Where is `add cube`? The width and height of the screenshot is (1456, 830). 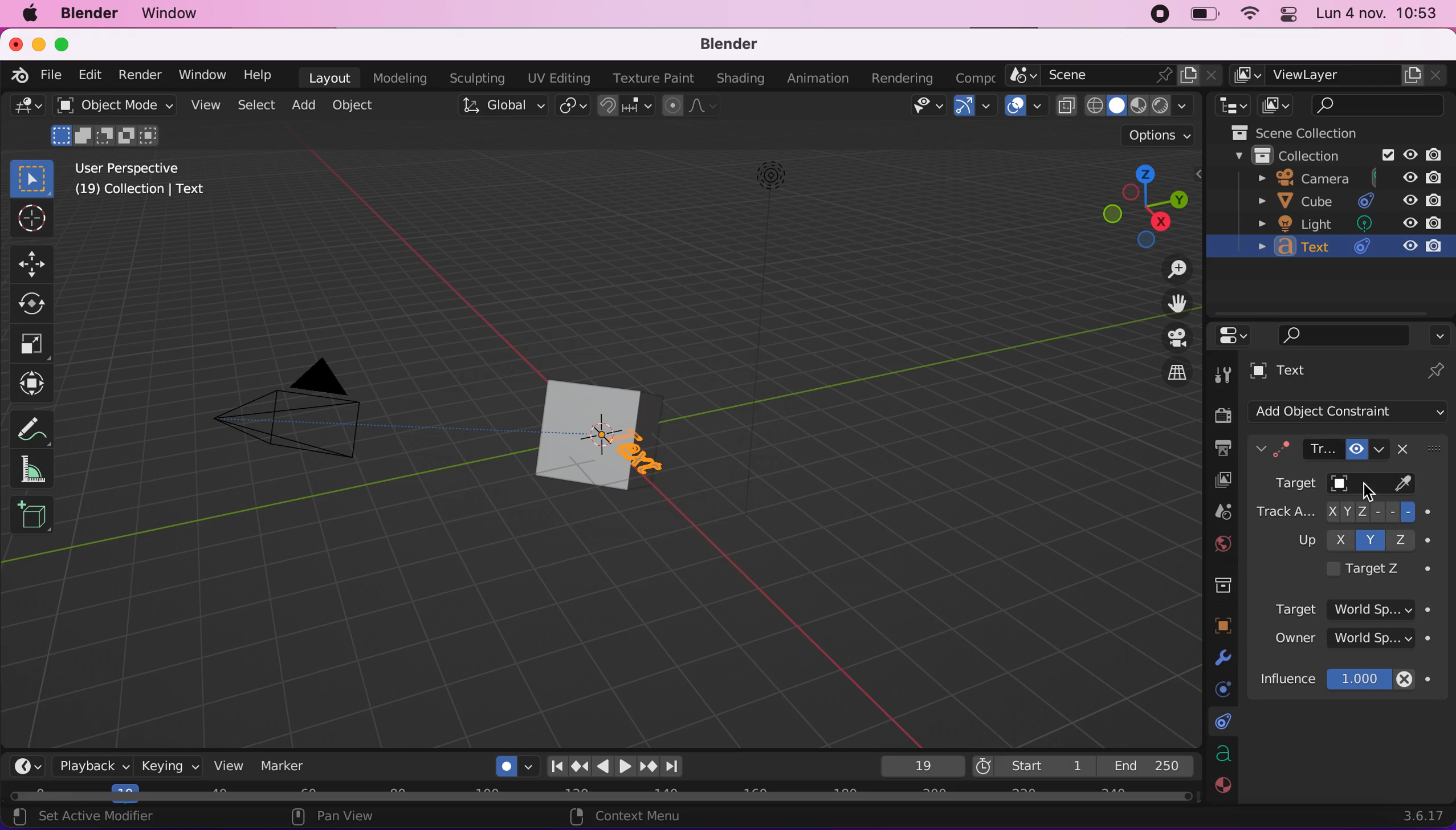
add cube is located at coordinates (33, 521).